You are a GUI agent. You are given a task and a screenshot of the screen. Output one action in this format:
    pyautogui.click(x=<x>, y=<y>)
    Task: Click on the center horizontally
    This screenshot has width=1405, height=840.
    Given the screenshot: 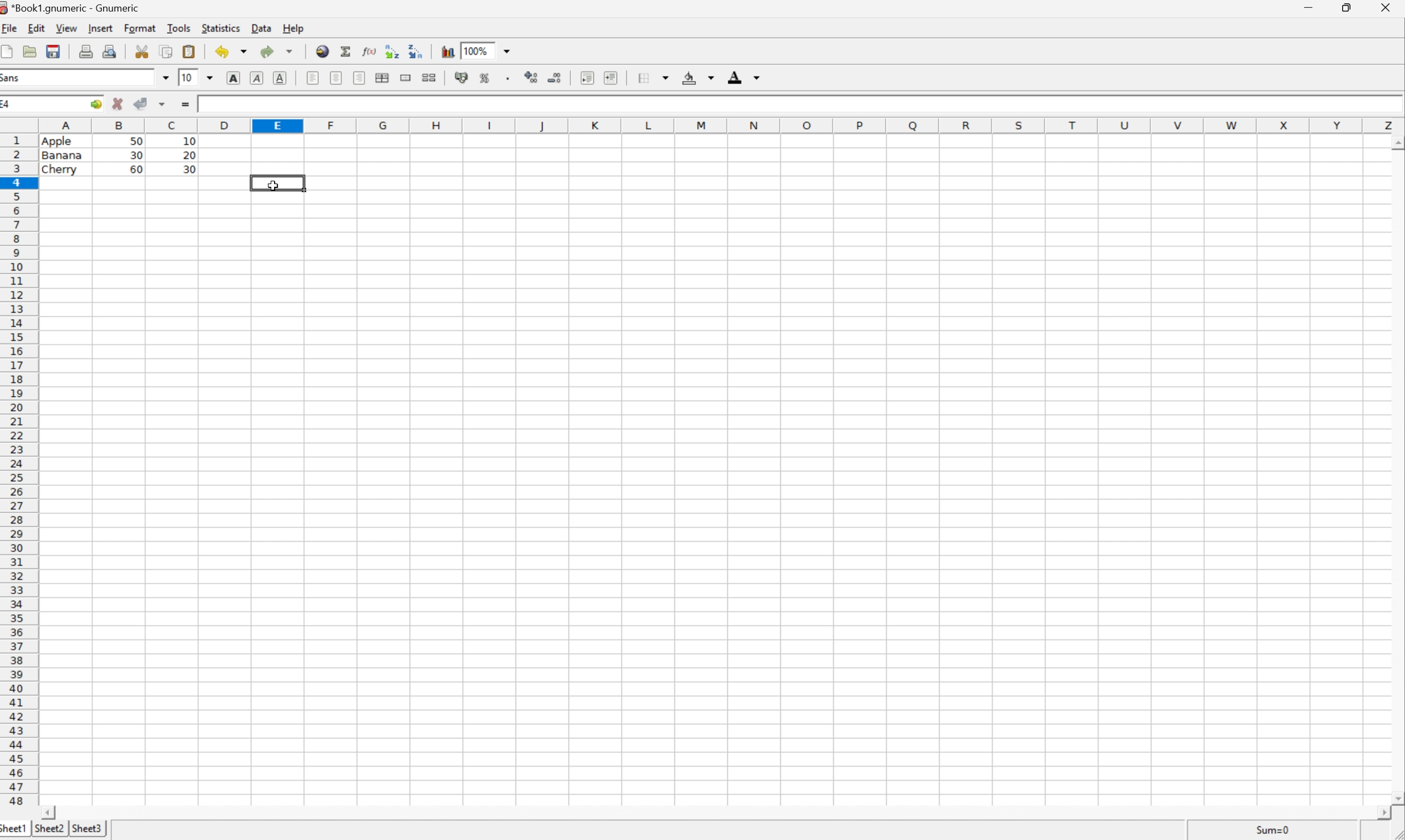 What is the action you would take?
    pyautogui.click(x=382, y=78)
    